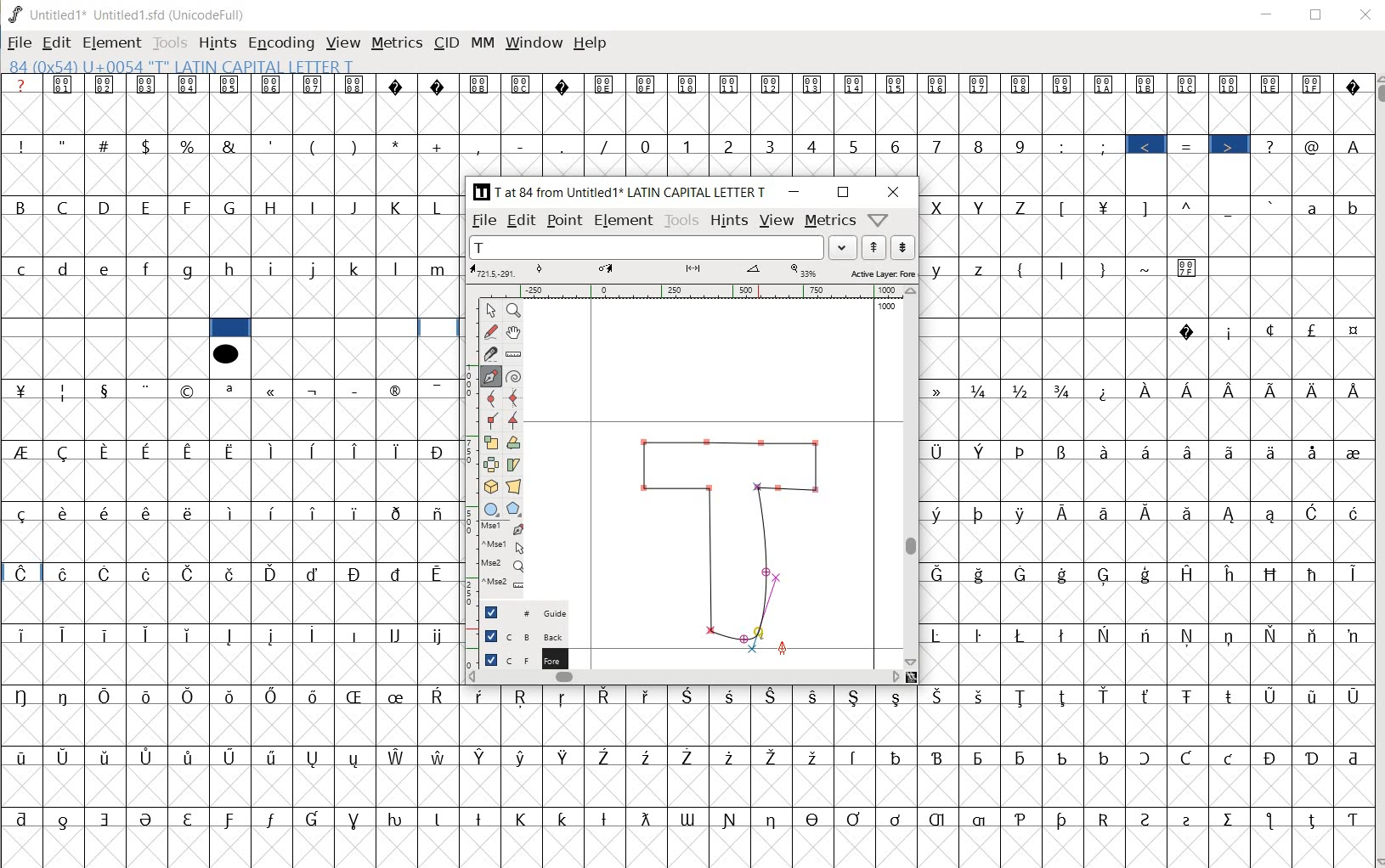  Describe the element at coordinates (913, 476) in the screenshot. I see `vertical scrollbar` at that location.